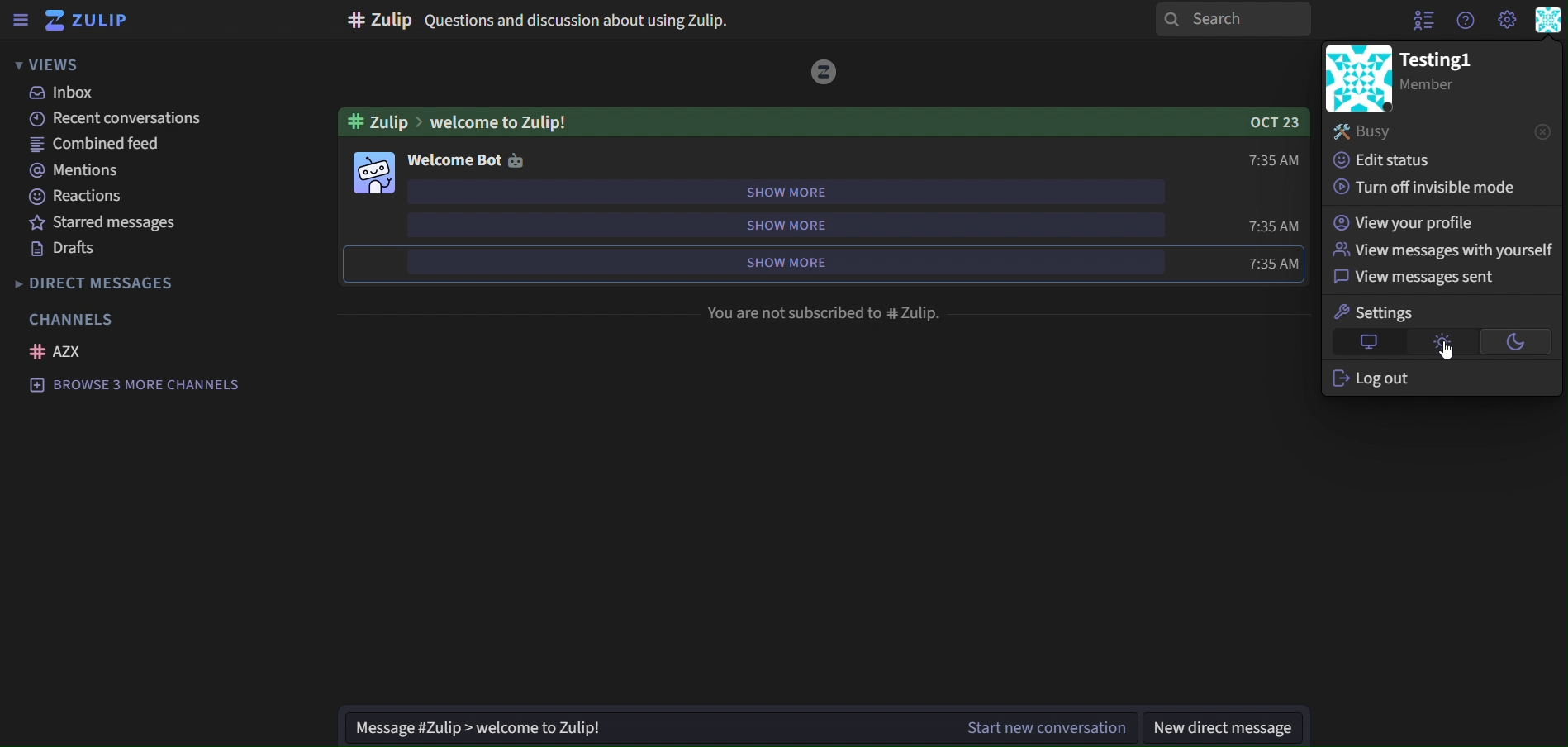  What do you see at coordinates (1277, 157) in the screenshot?
I see `time` at bounding box center [1277, 157].